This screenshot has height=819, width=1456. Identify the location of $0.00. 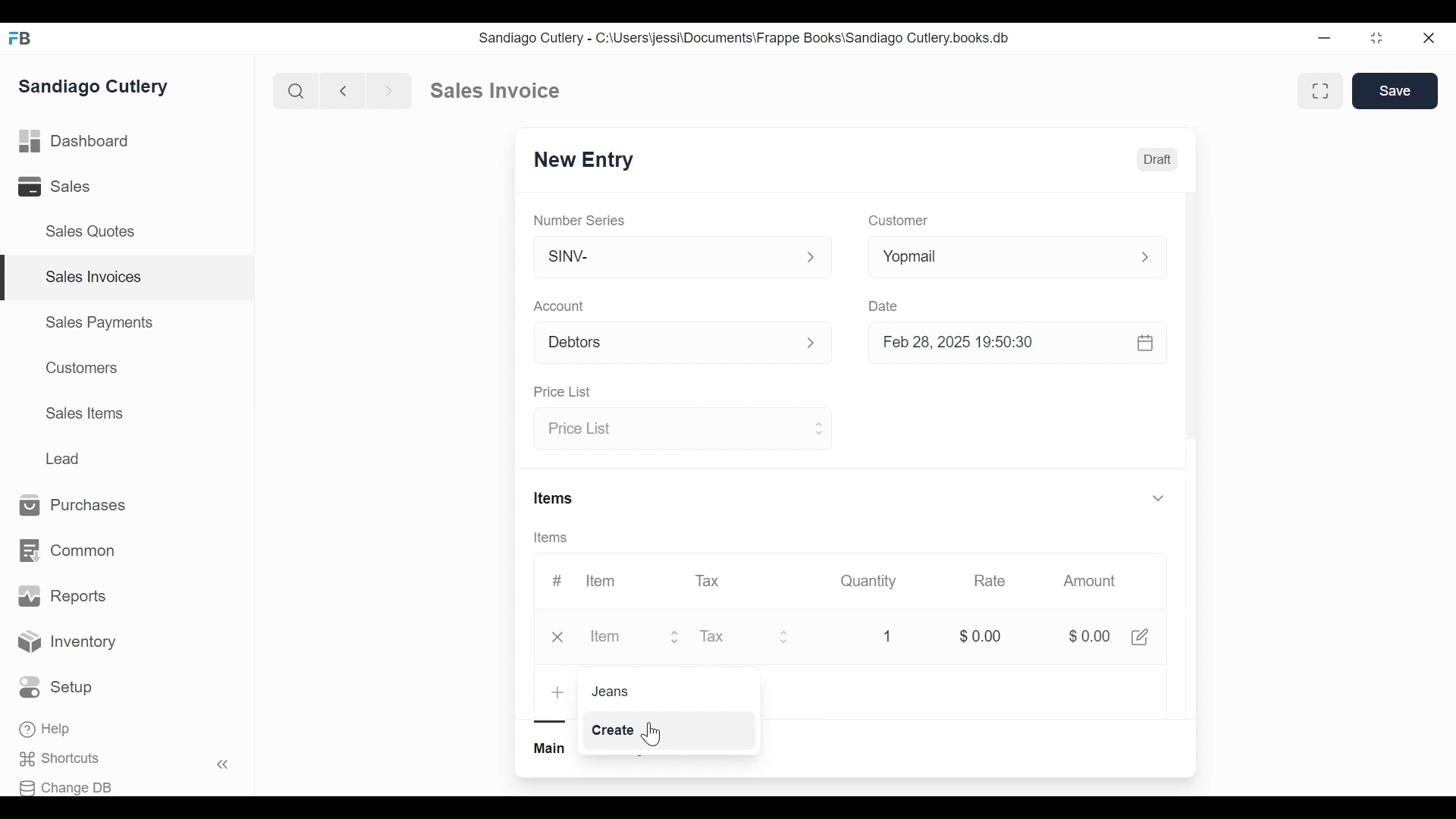
(1087, 636).